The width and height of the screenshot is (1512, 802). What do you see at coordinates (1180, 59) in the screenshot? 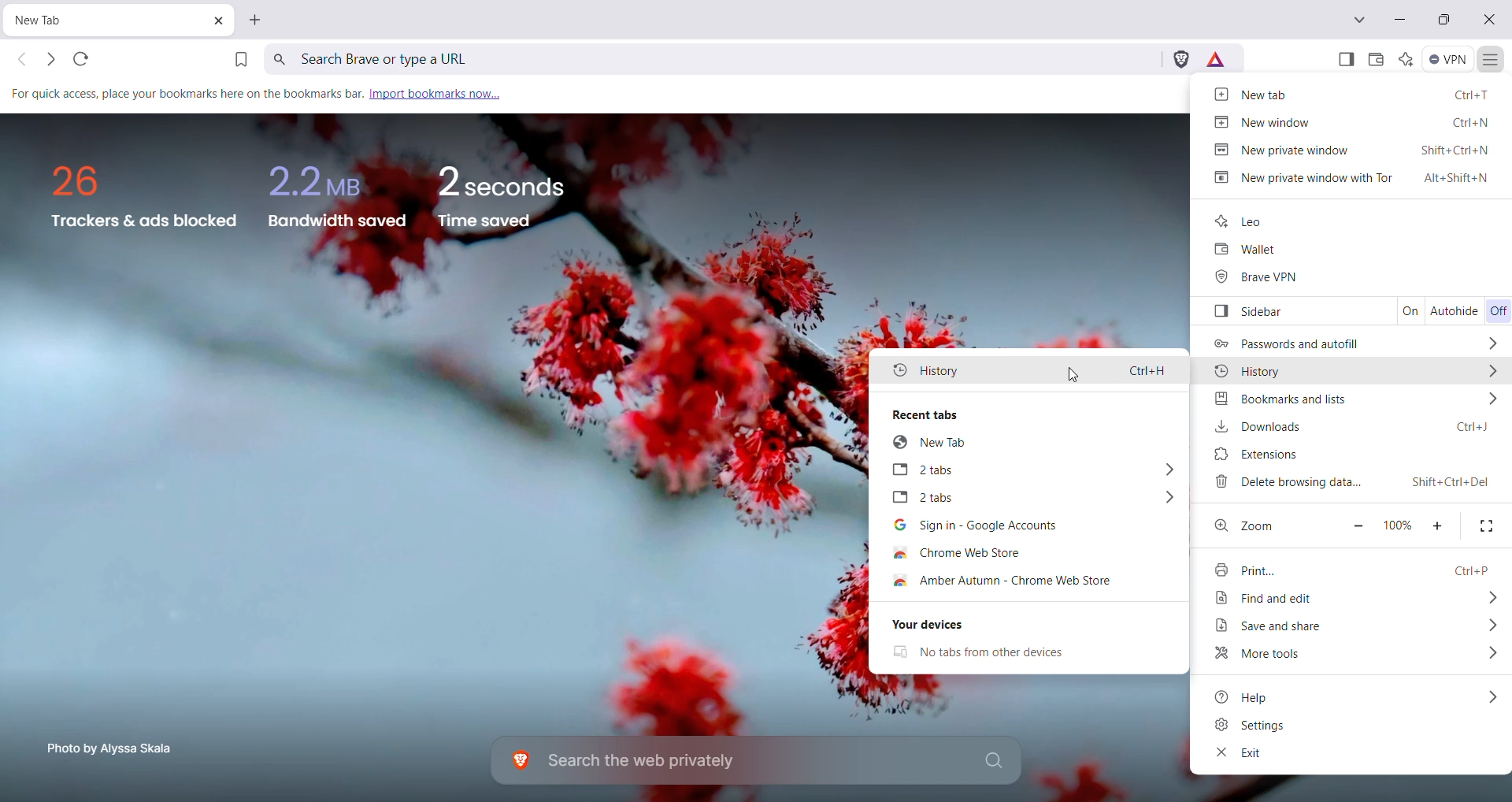
I see `Brave Shields` at bounding box center [1180, 59].